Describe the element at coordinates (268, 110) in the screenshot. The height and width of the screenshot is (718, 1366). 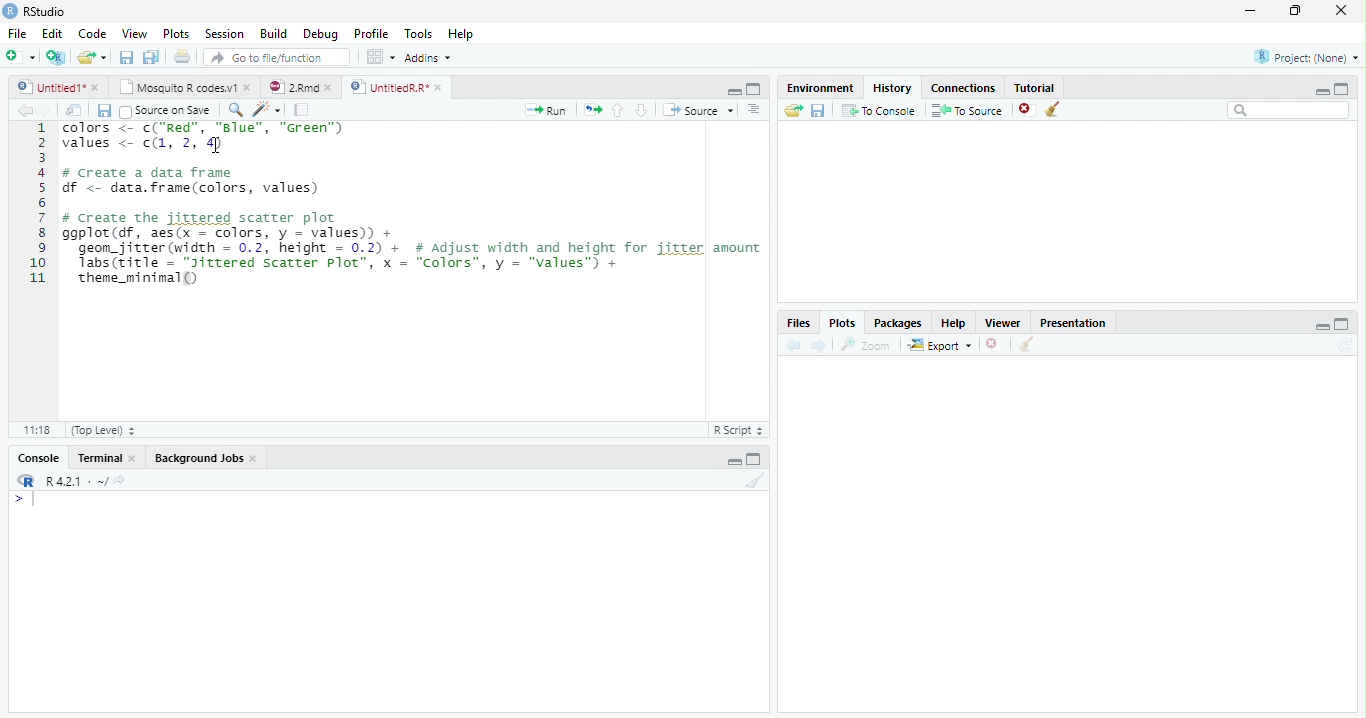
I see `Code tools` at that location.